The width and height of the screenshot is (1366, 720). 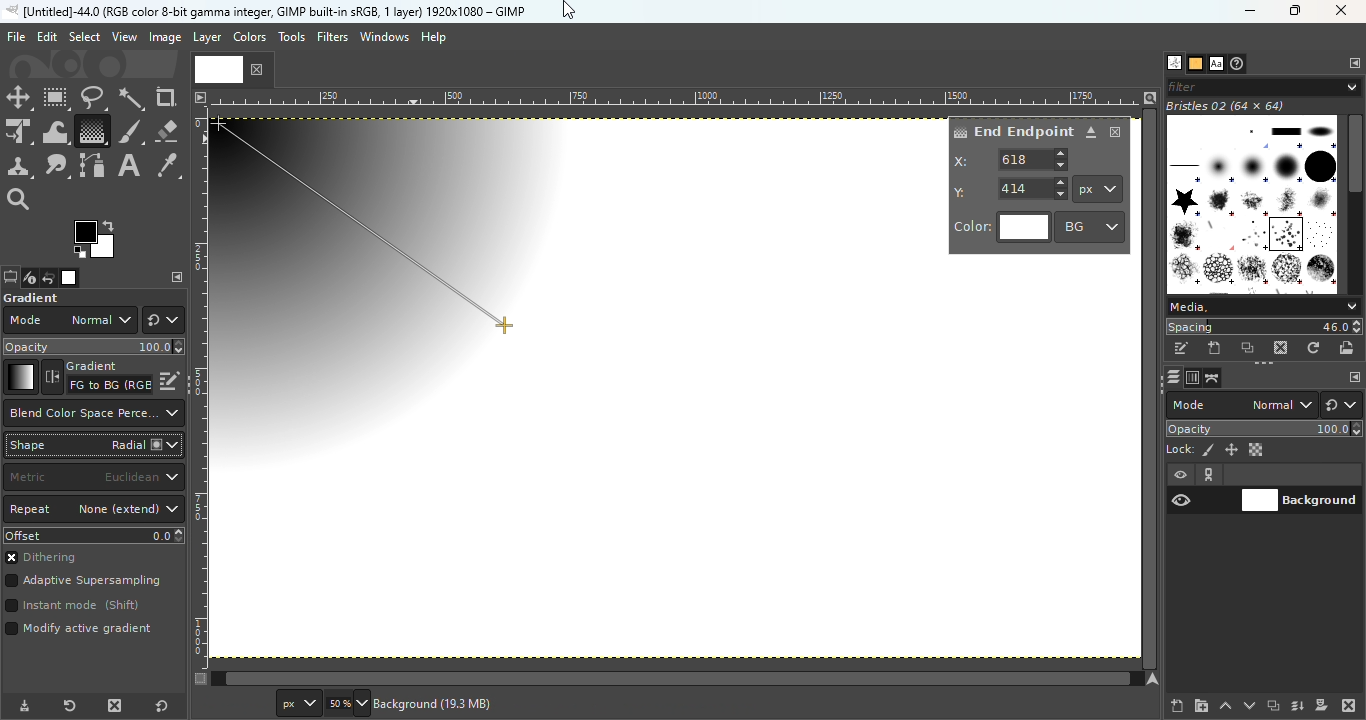 I want to click on Detach dilog from, so click(x=1092, y=133).